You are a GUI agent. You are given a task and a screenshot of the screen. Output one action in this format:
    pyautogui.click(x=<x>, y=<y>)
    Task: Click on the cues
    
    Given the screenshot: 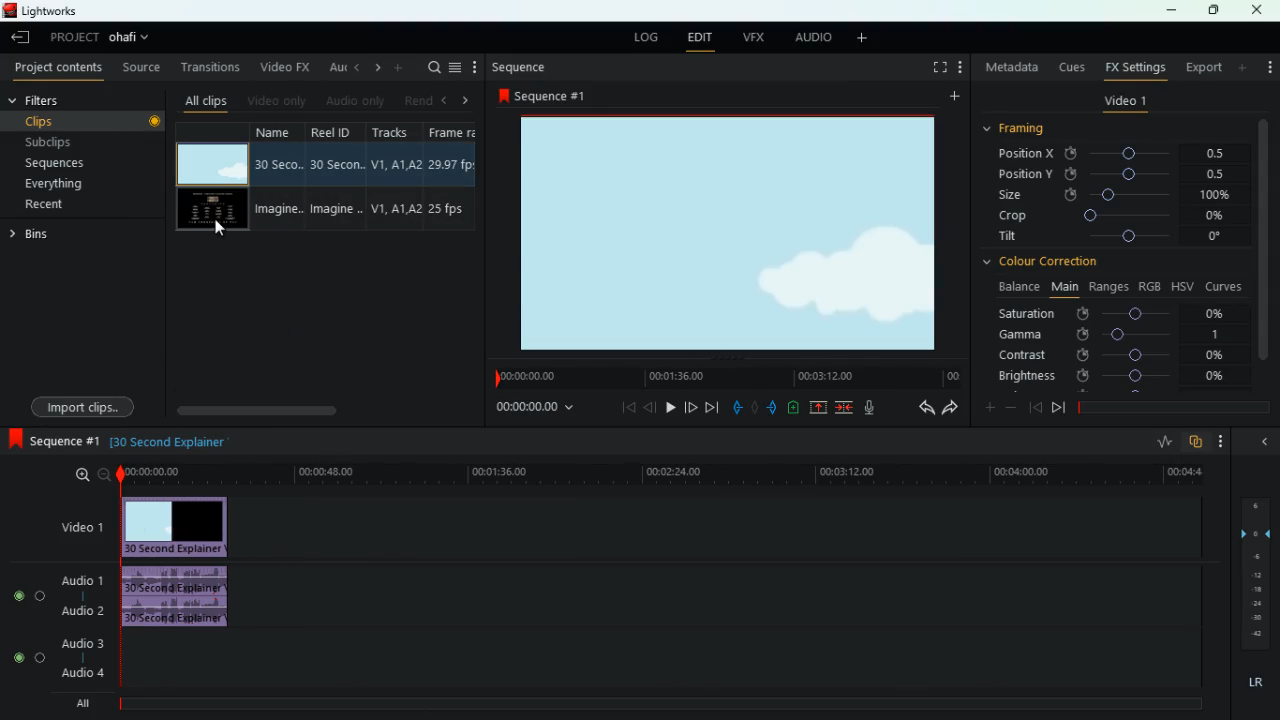 What is the action you would take?
    pyautogui.click(x=1073, y=67)
    